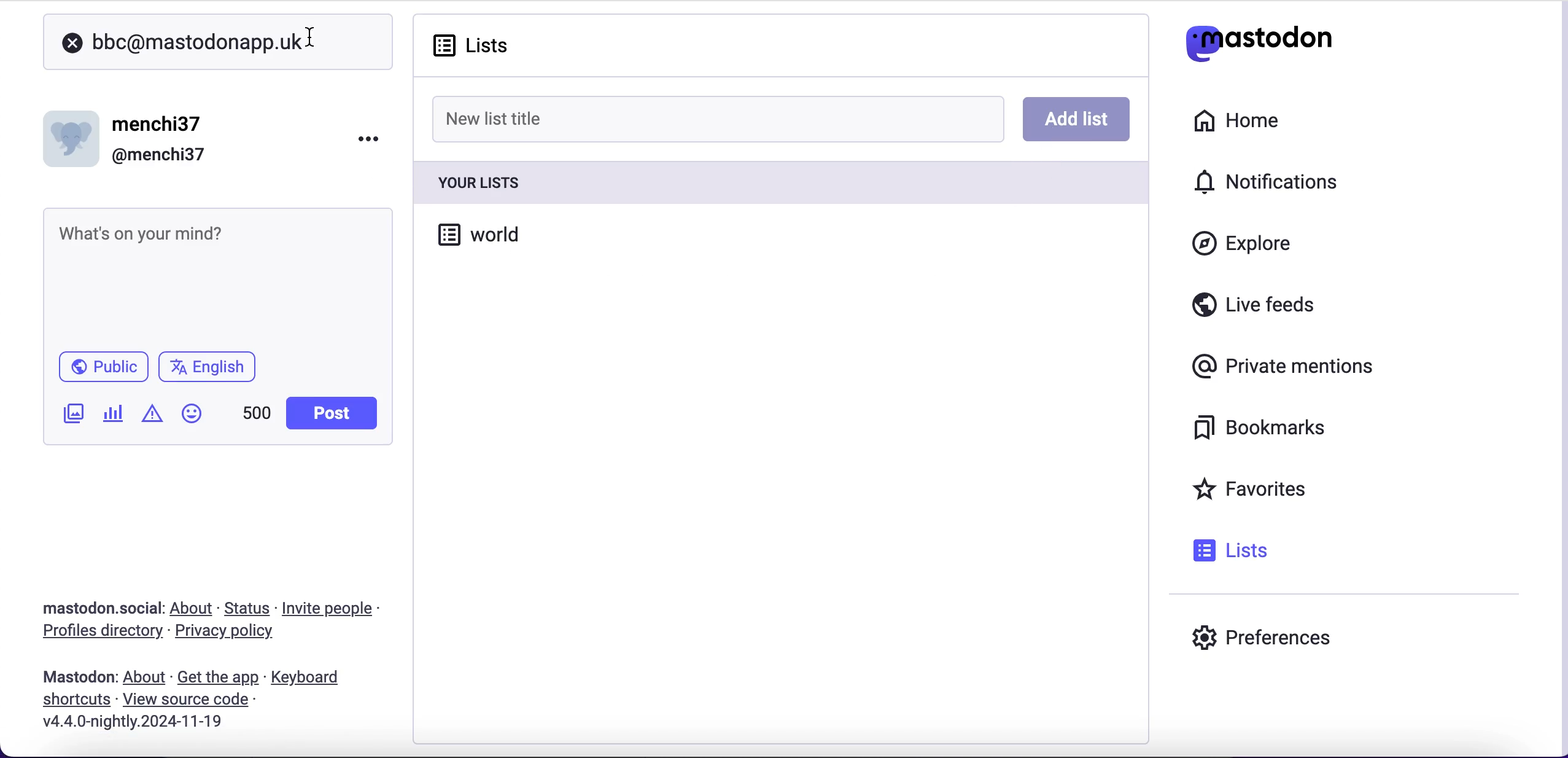 Image resolution: width=1568 pixels, height=758 pixels. I want to click on keyboard, so click(309, 679).